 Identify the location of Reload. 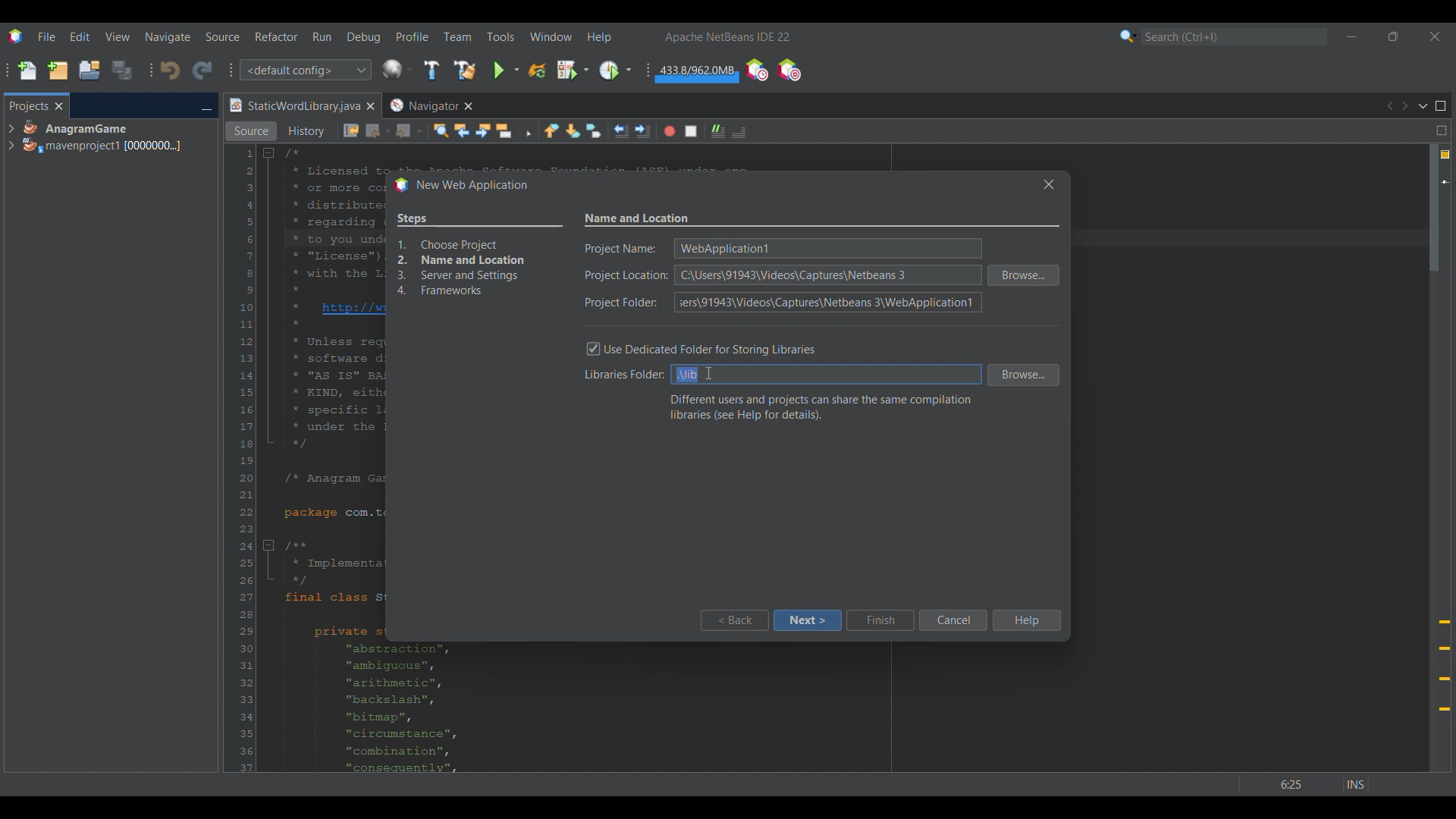
(537, 71).